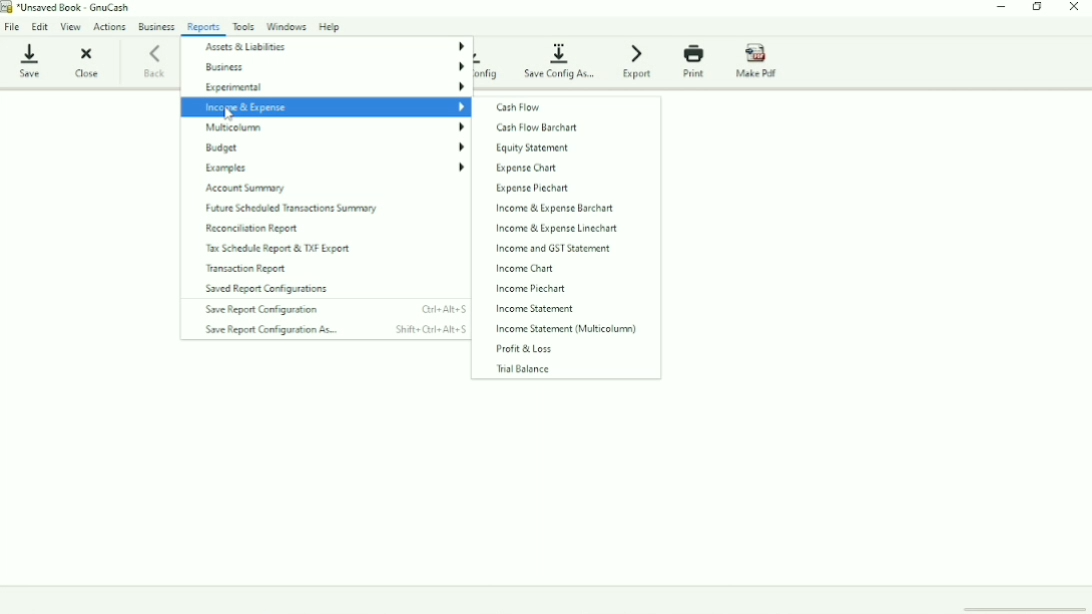 This screenshot has height=614, width=1092. What do you see at coordinates (72, 27) in the screenshot?
I see `View` at bounding box center [72, 27].